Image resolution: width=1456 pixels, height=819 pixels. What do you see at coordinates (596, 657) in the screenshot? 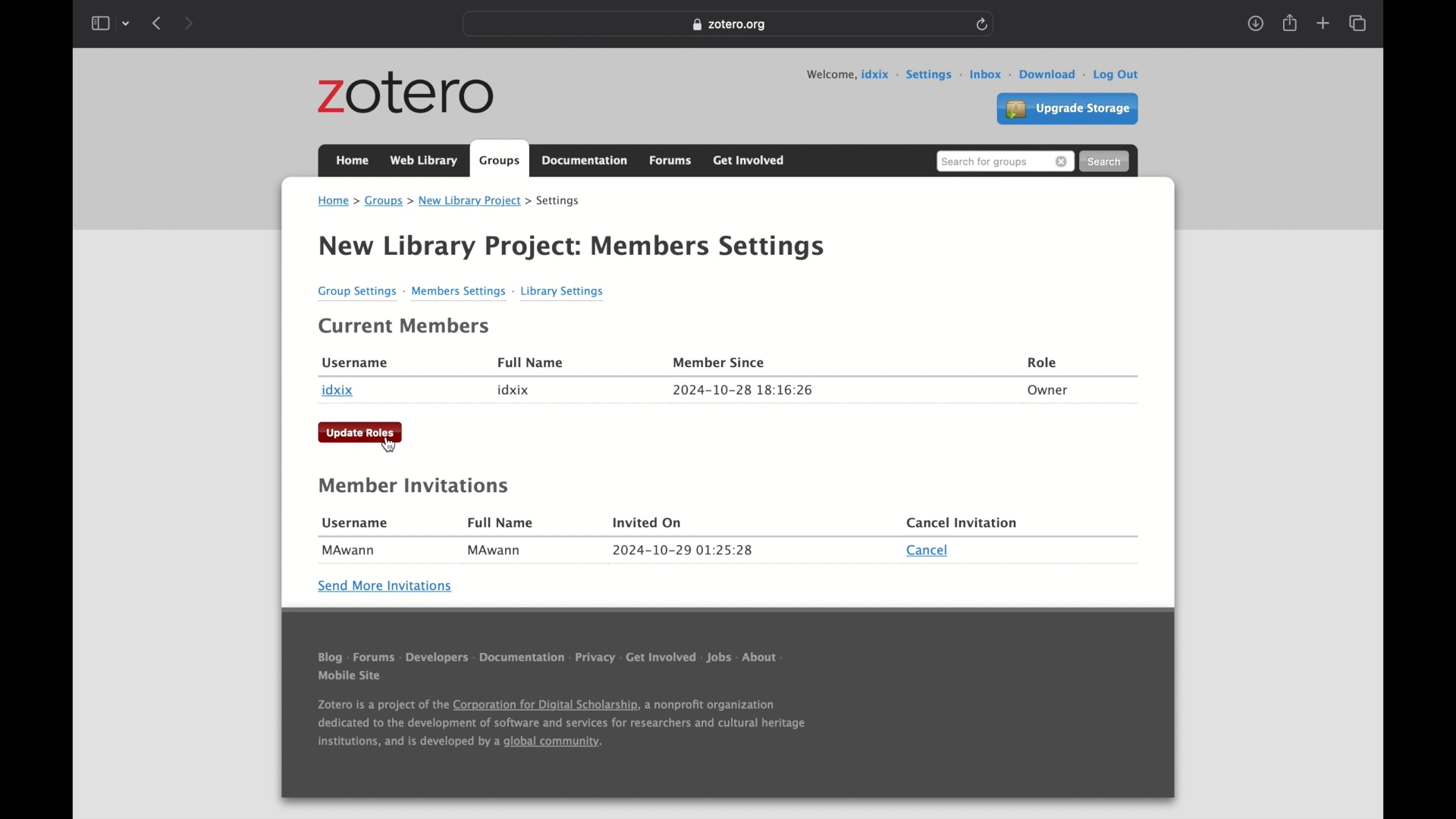
I see `privacy` at bounding box center [596, 657].